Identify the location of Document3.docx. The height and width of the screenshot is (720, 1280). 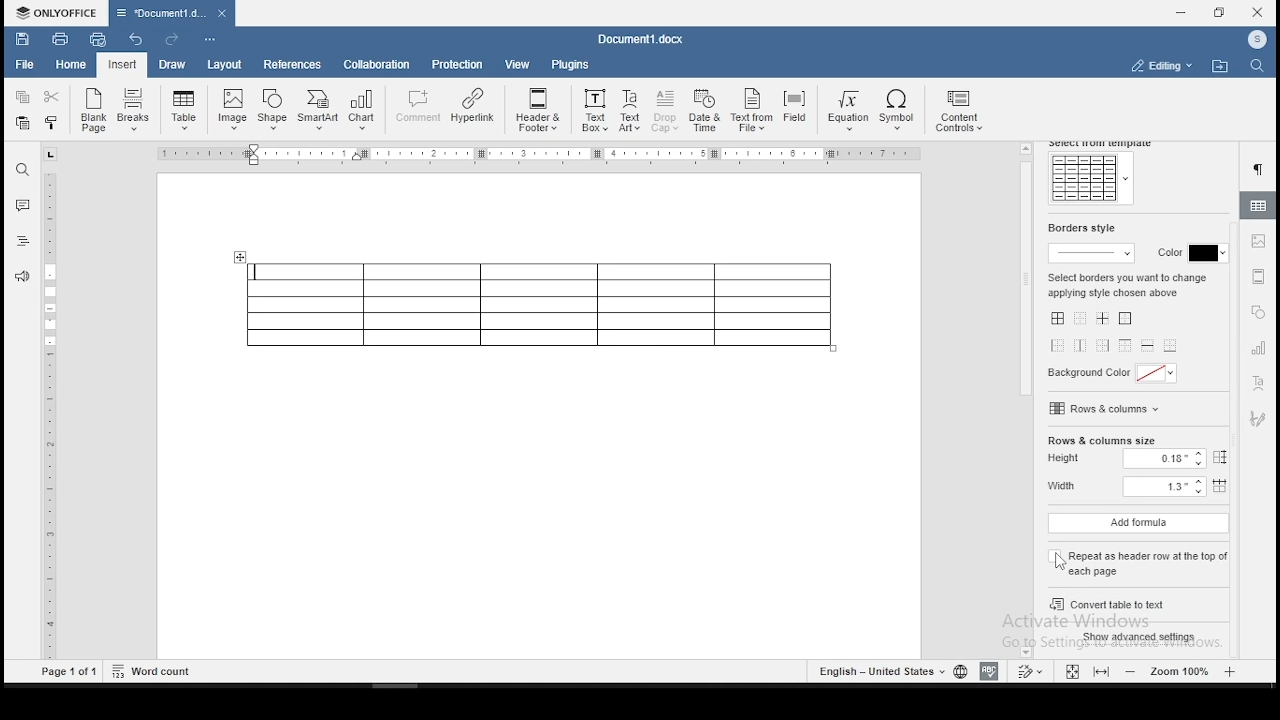
(171, 13).